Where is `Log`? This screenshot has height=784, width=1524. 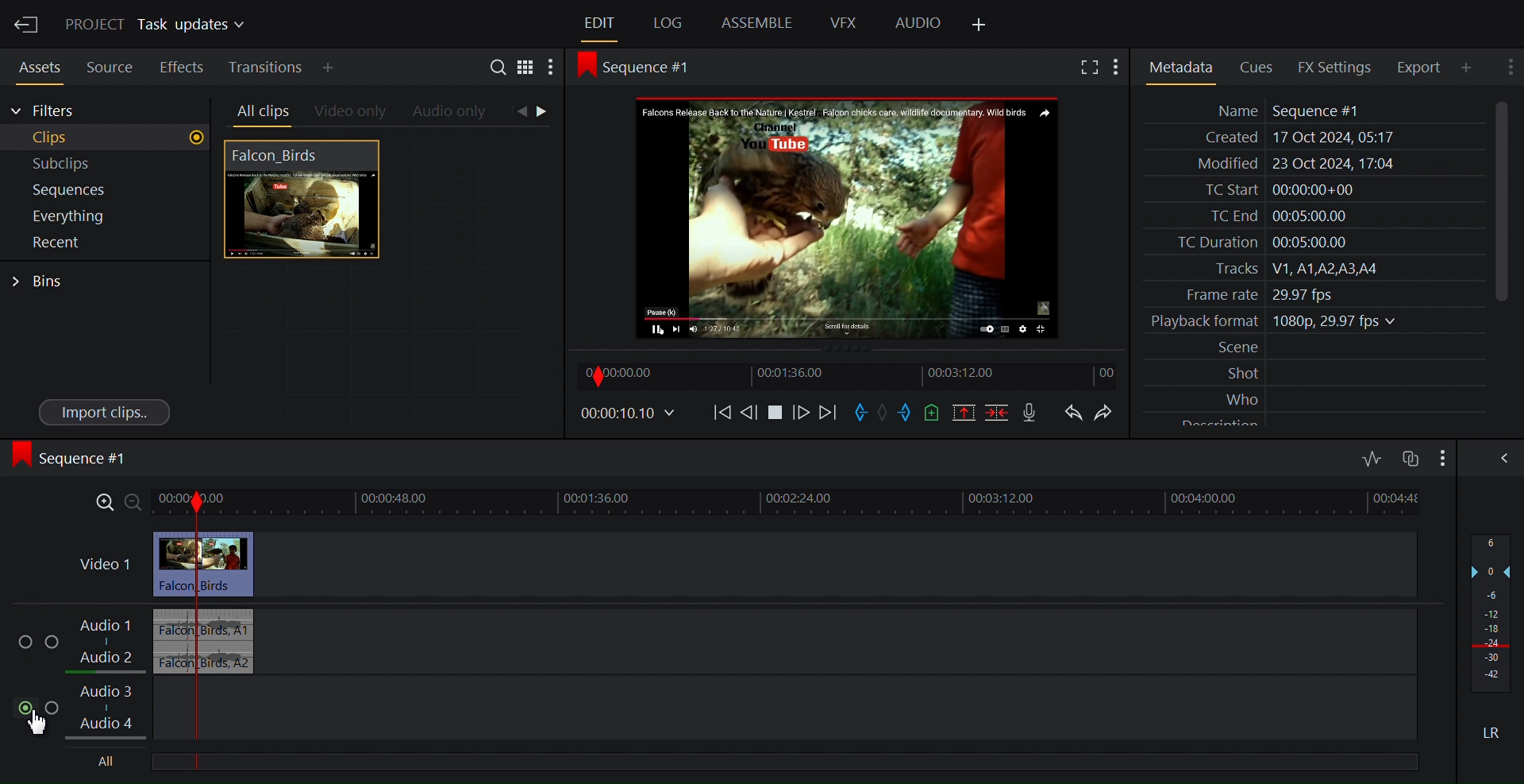
Log is located at coordinates (668, 24).